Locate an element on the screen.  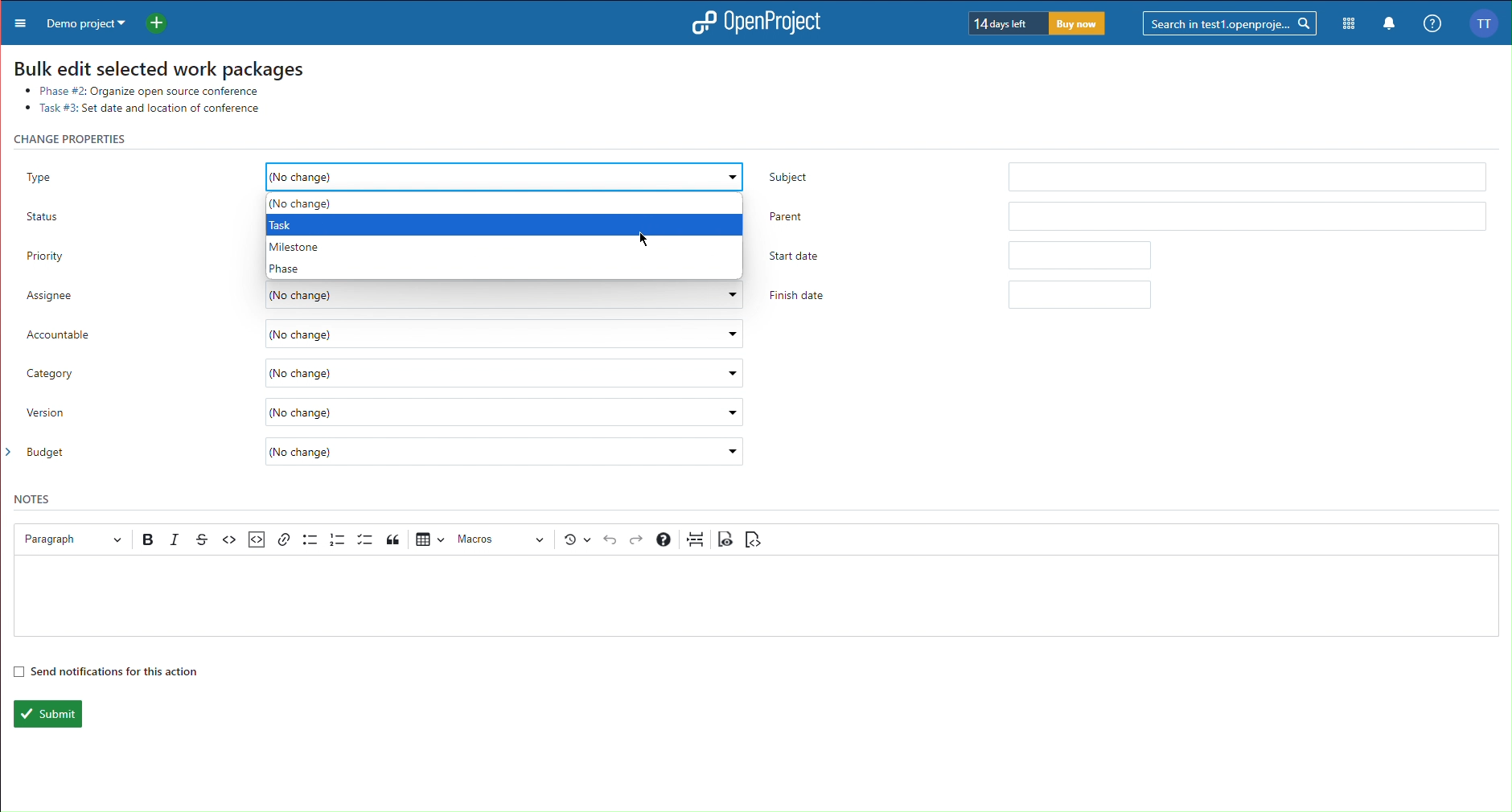
Version is located at coordinates (386, 416).